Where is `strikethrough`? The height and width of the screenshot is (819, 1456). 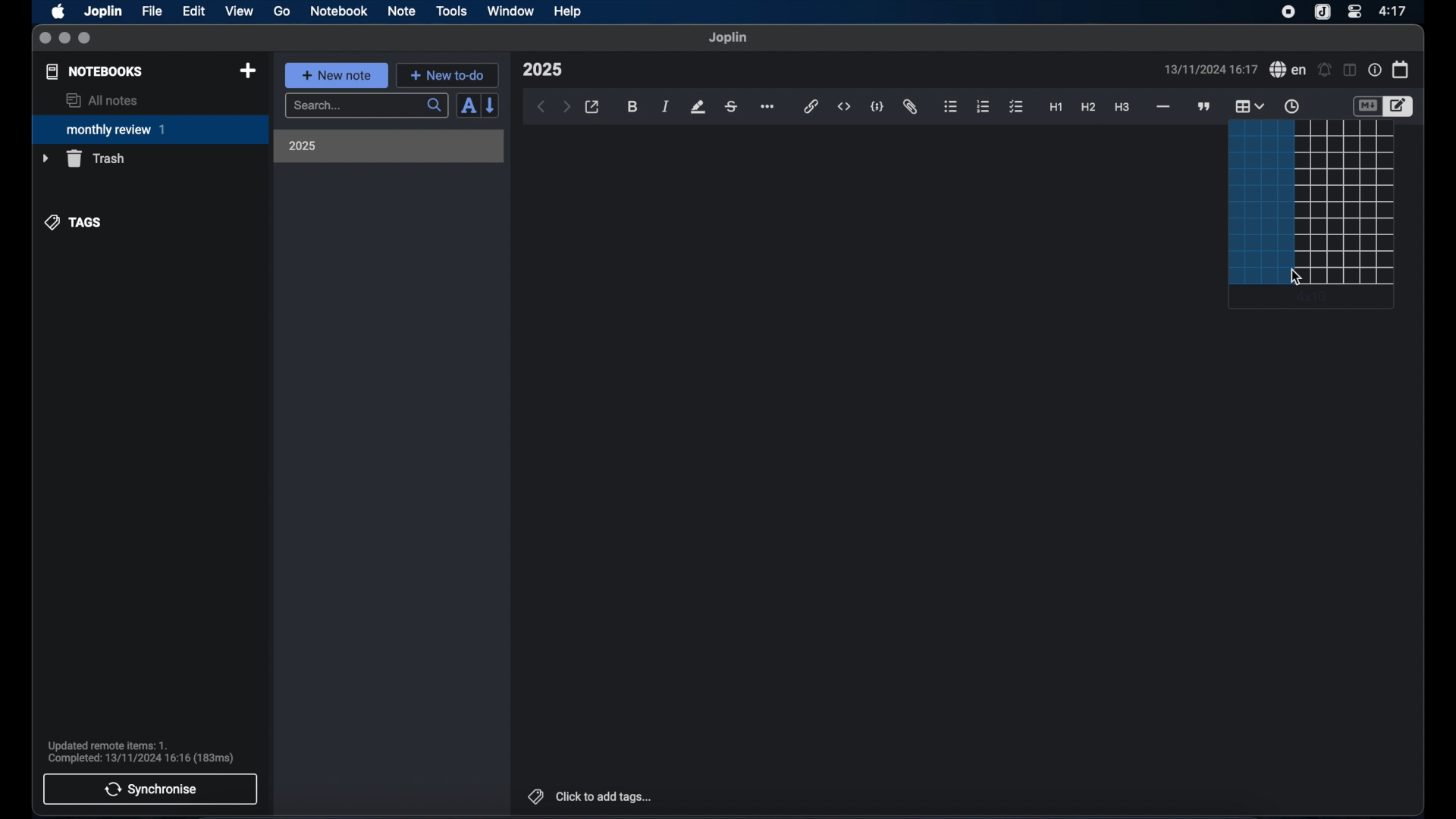
strikethrough is located at coordinates (730, 107).